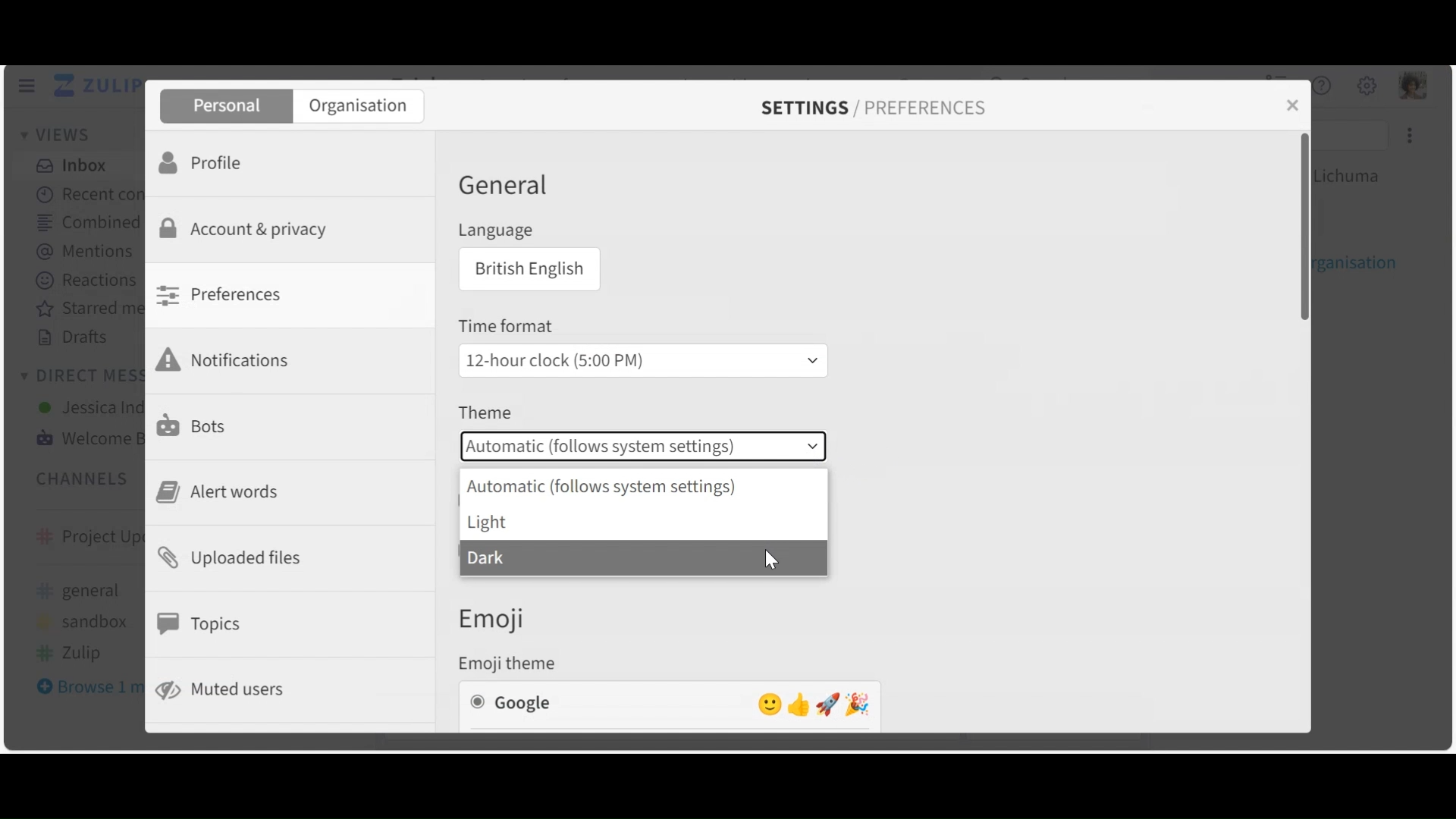 Image resolution: width=1456 pixels, height=819 pixels. I want to click on Emoji Theme, so click(513, 662).